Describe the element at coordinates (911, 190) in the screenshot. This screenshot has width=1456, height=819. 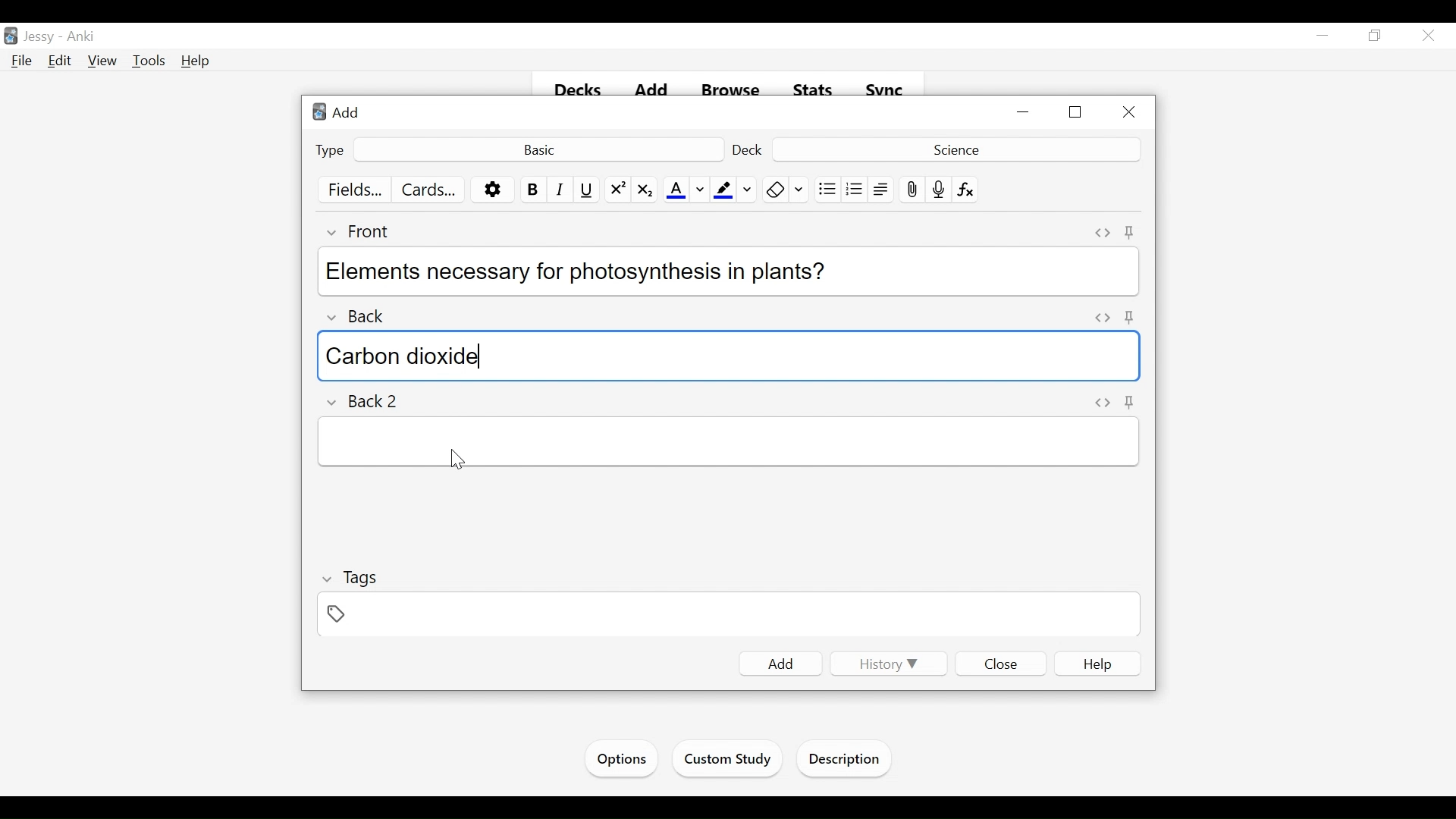
I see `Upload pictures/images/ files` at that location.